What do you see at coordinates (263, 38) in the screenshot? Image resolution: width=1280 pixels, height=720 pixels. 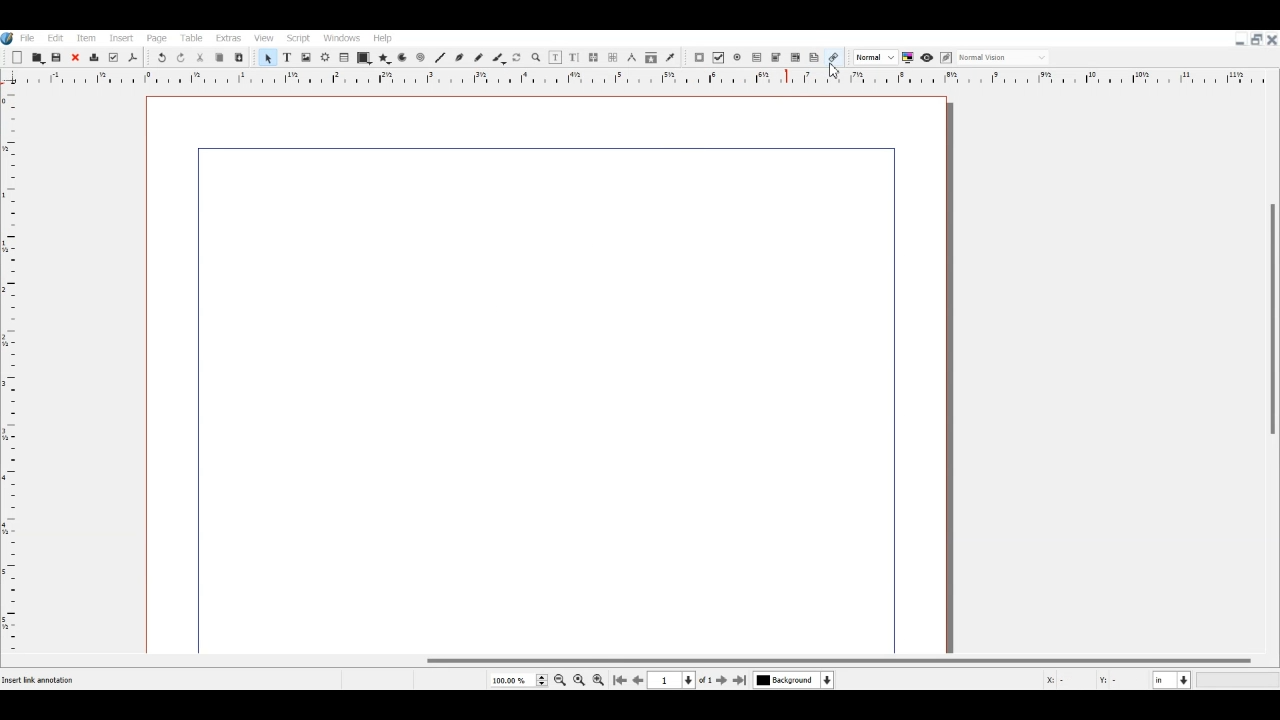 I see `View` at bounding box center [263, 38].